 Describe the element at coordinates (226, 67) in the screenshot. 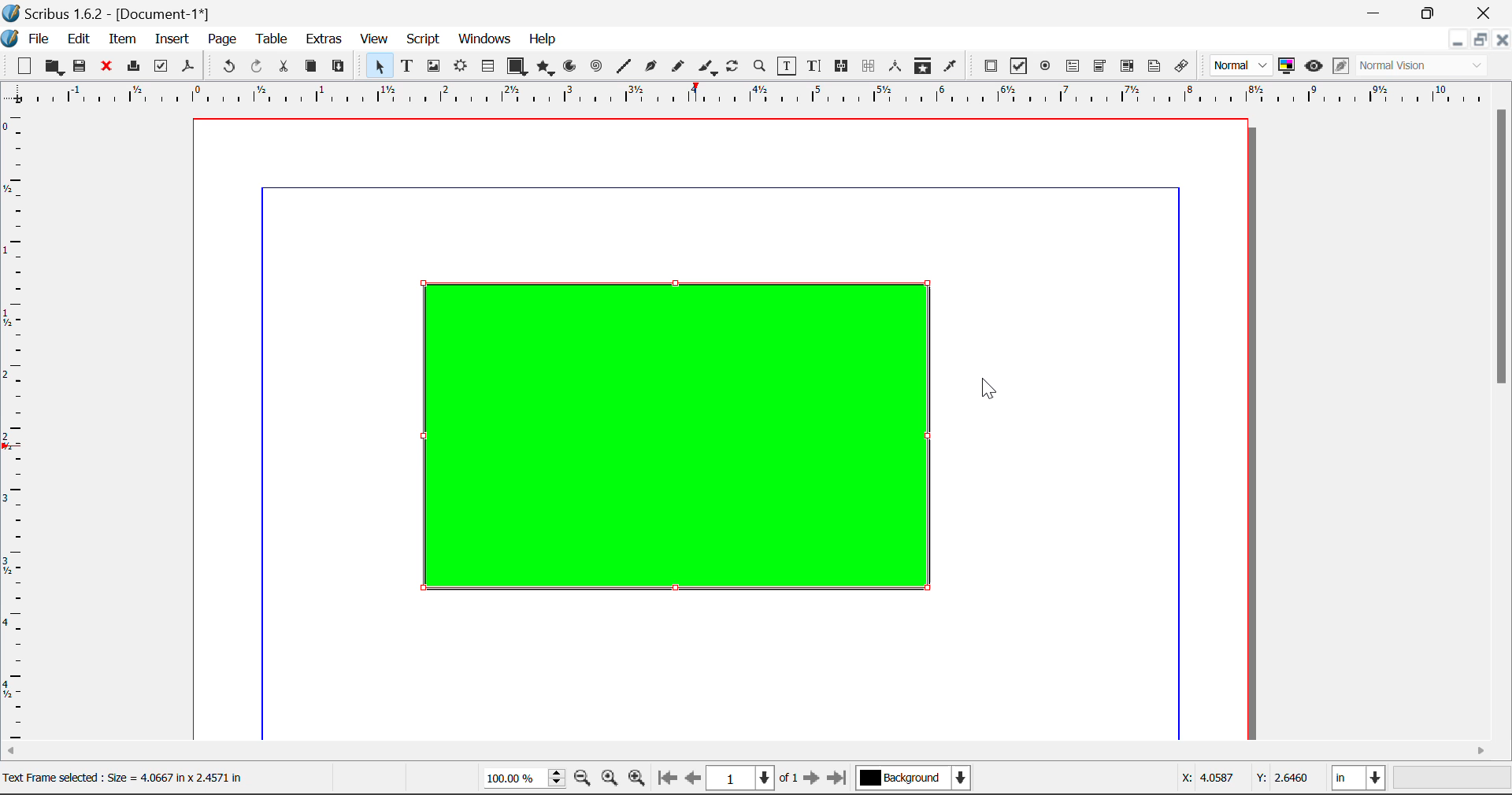

I see `Undo` at that location.